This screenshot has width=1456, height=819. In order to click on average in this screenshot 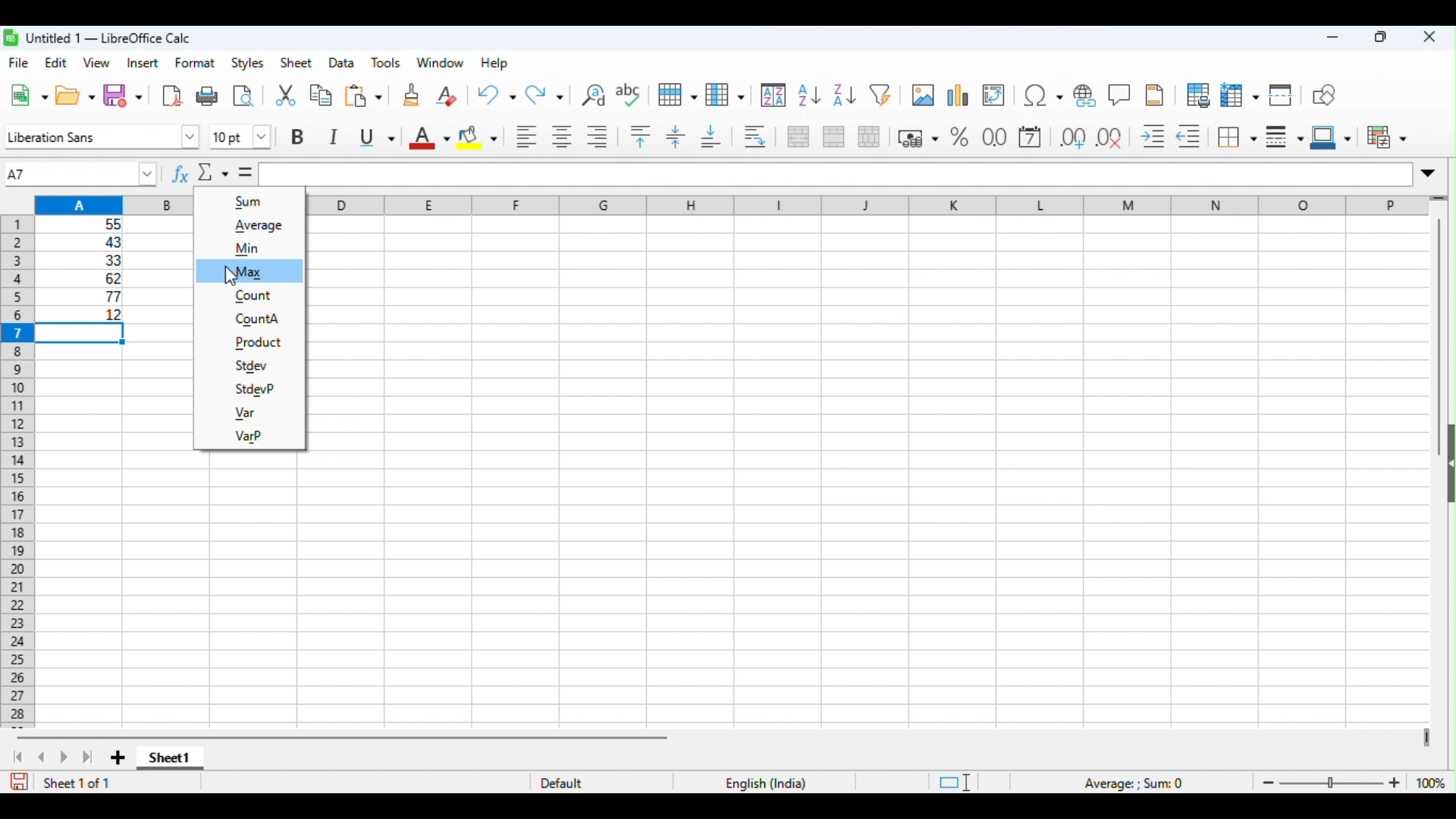, I will do `click(261, 226)`.